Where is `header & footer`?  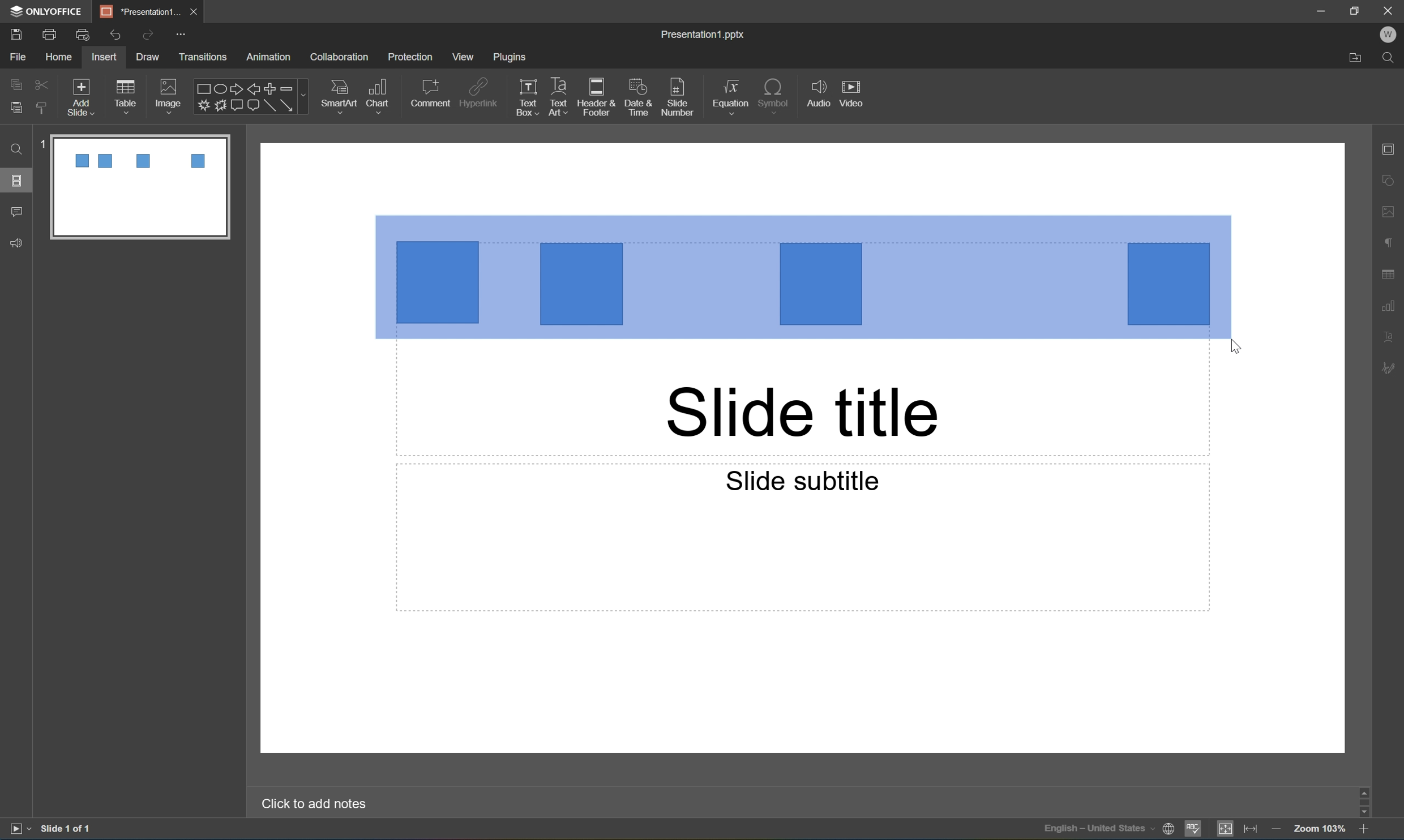
header & footer is located at coordinates (598, 98).